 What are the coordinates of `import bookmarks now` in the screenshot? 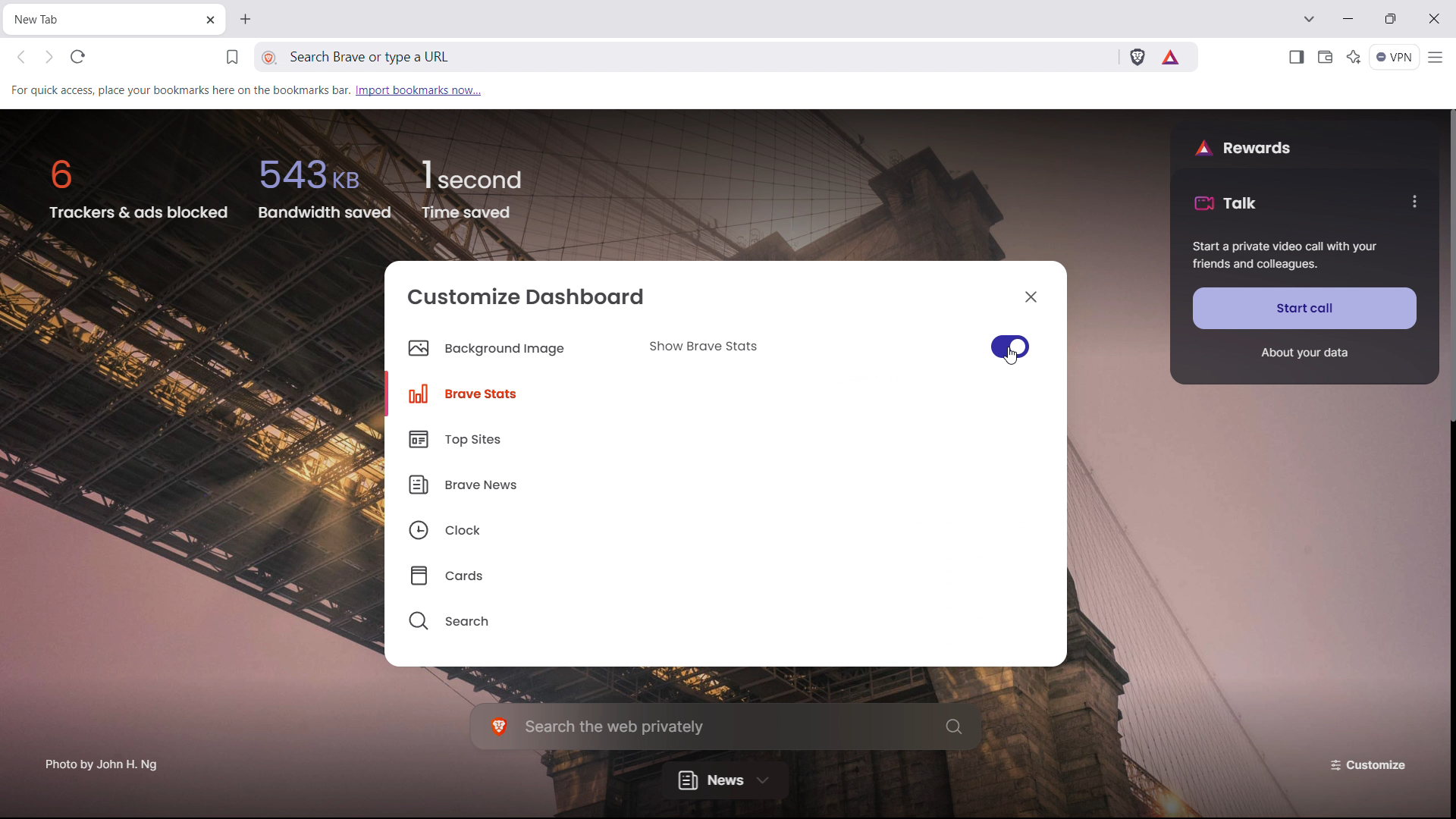 It's located at (419, 89).